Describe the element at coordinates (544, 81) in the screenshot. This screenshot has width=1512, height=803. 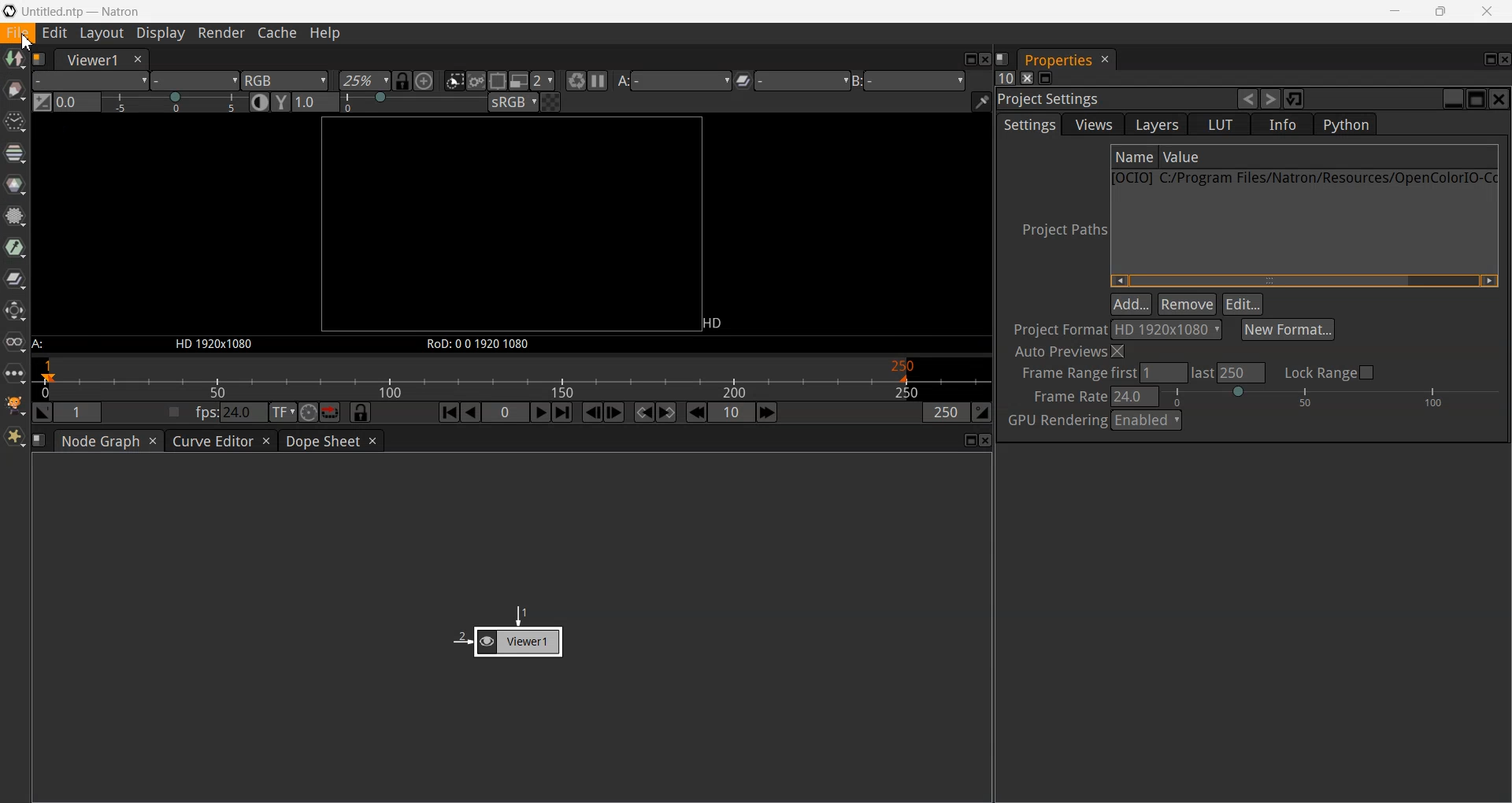
I see `Enter the factors ` at that location.